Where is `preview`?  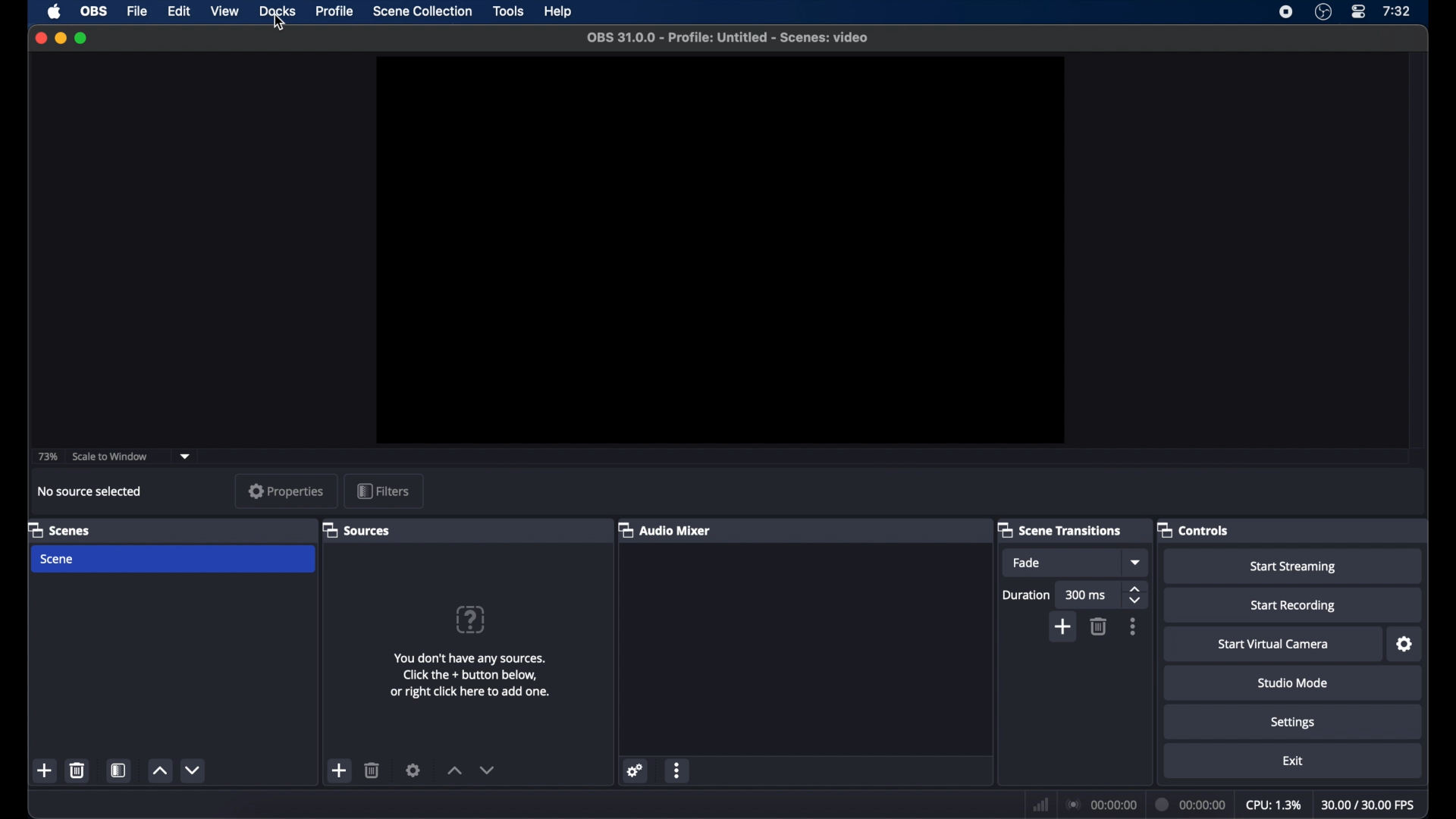
preview is located at coordinates (720, 250).